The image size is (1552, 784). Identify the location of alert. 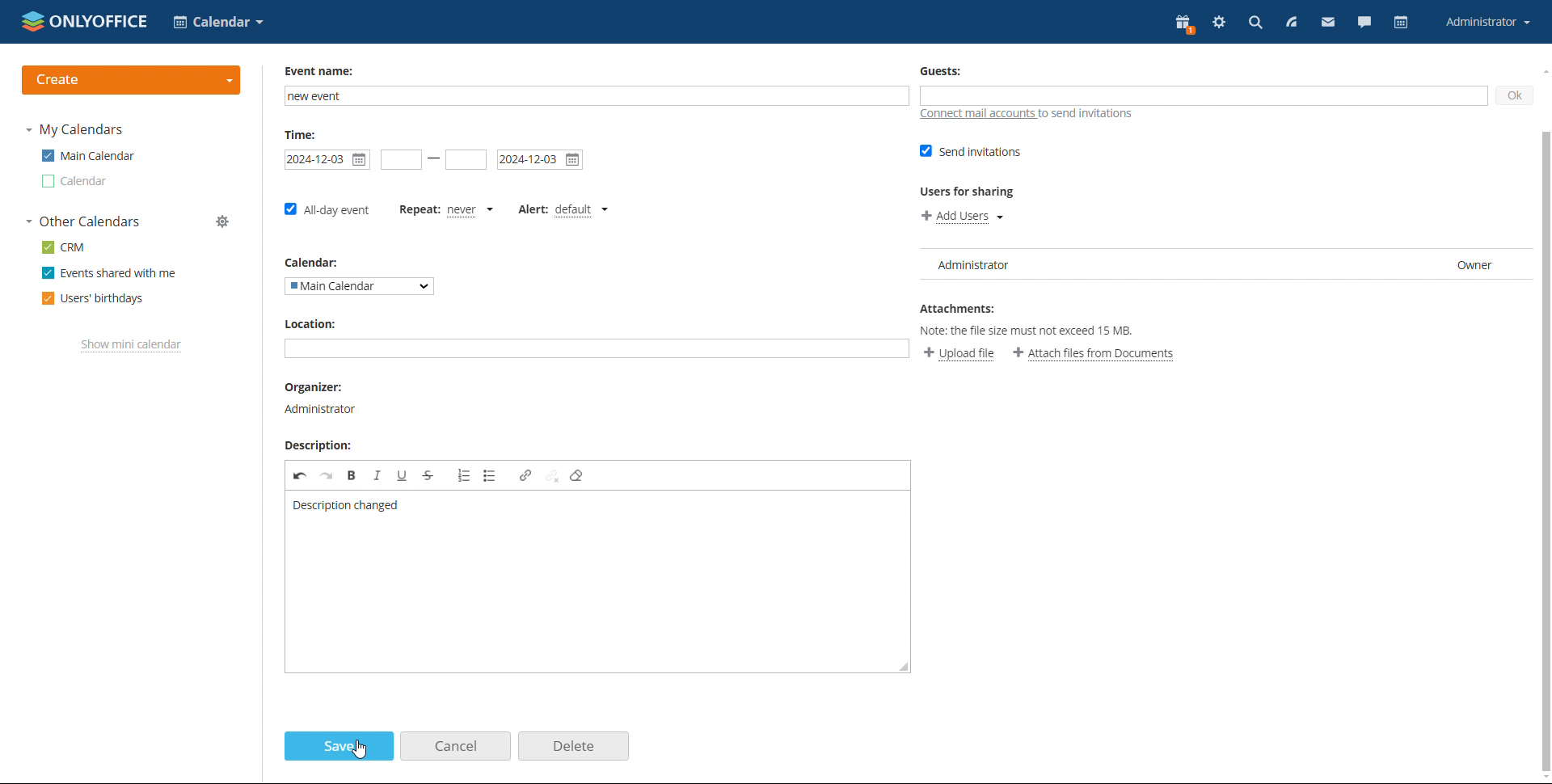
(533, 208).